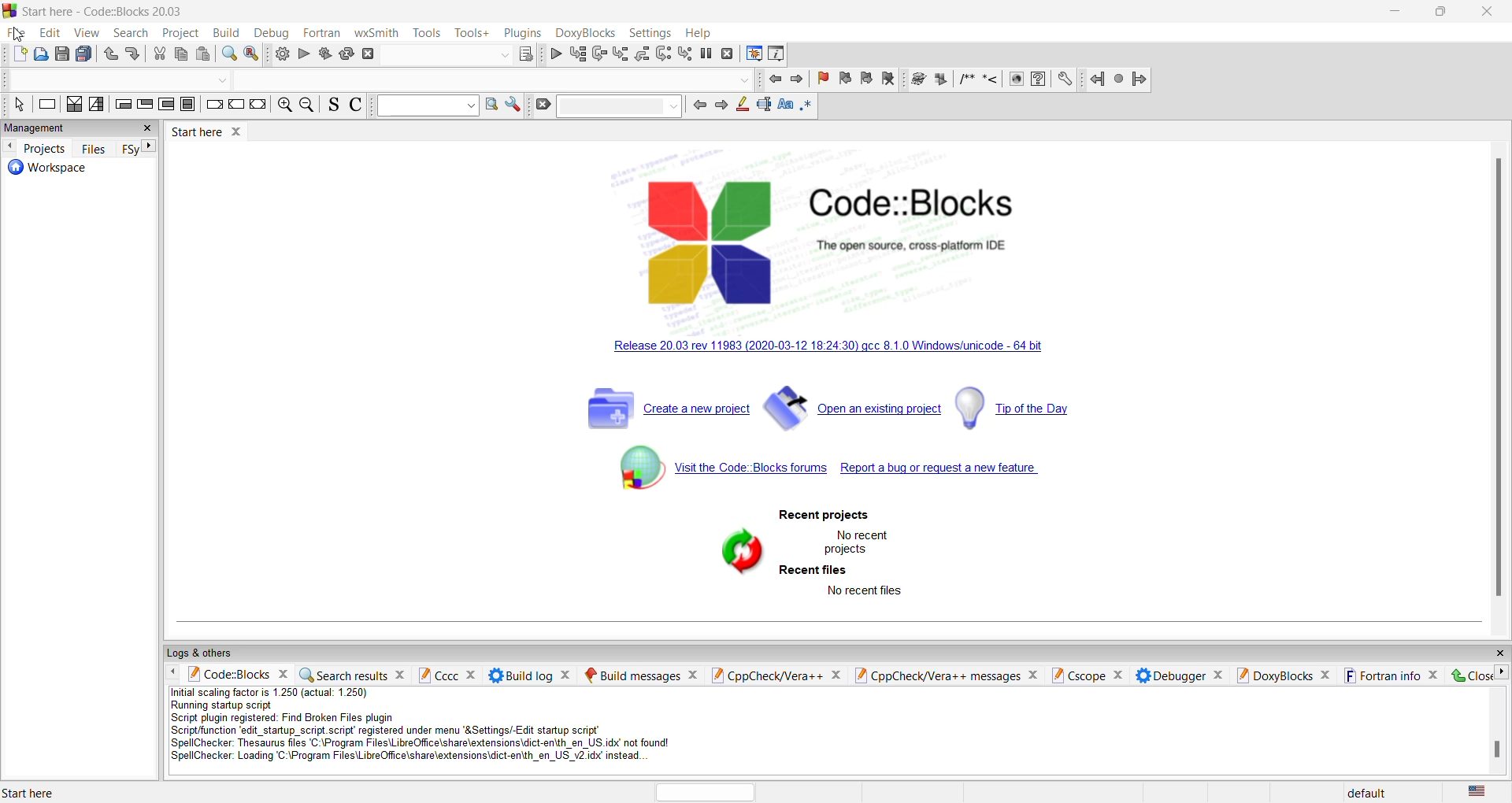 This screenshot has height=803, width=1512. I want to click on show the select target dialog, so click(525, 54).